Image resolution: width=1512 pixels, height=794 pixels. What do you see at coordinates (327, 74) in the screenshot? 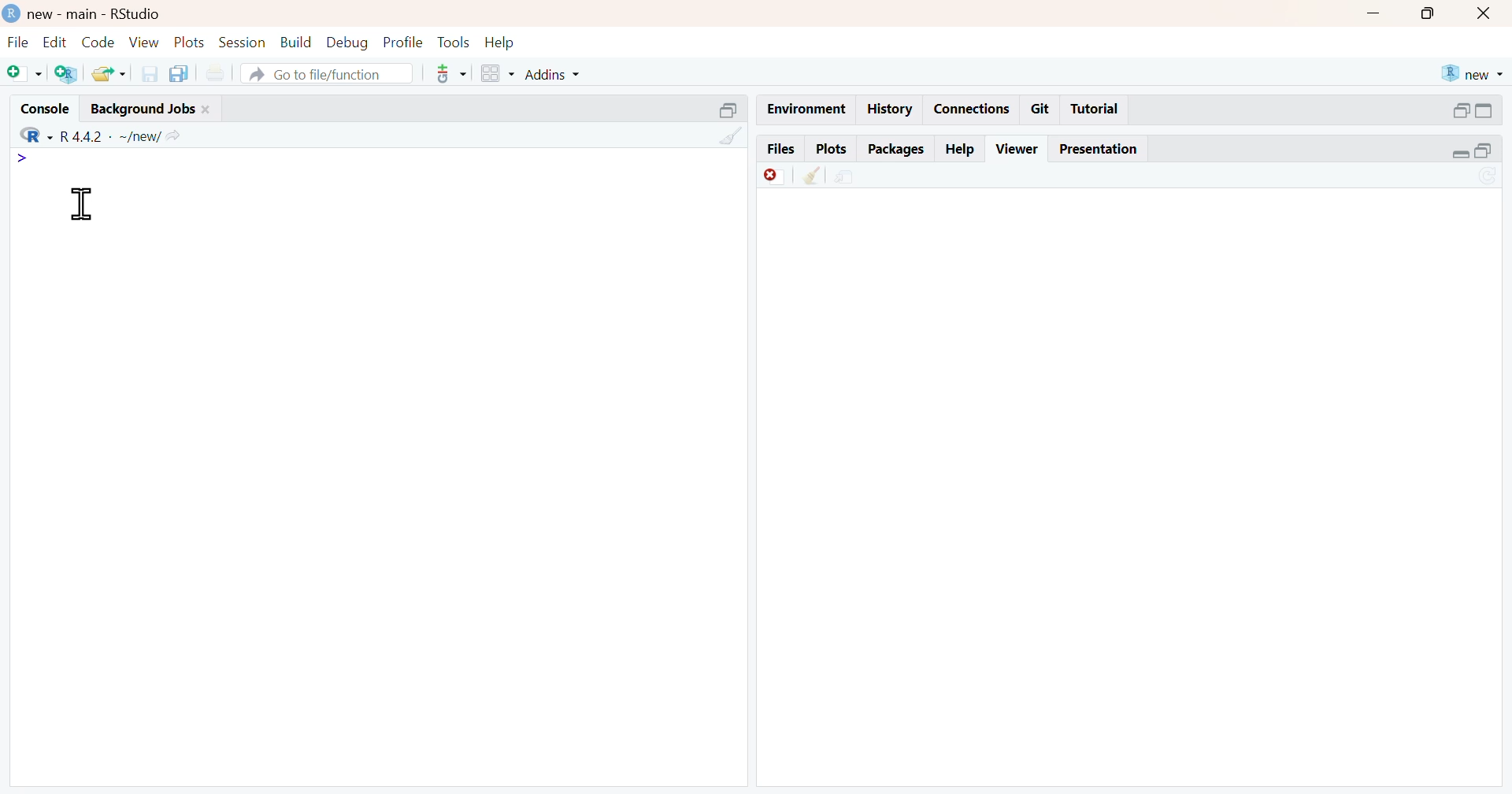
I see `go to file/function` at bounding box center [327, 74].